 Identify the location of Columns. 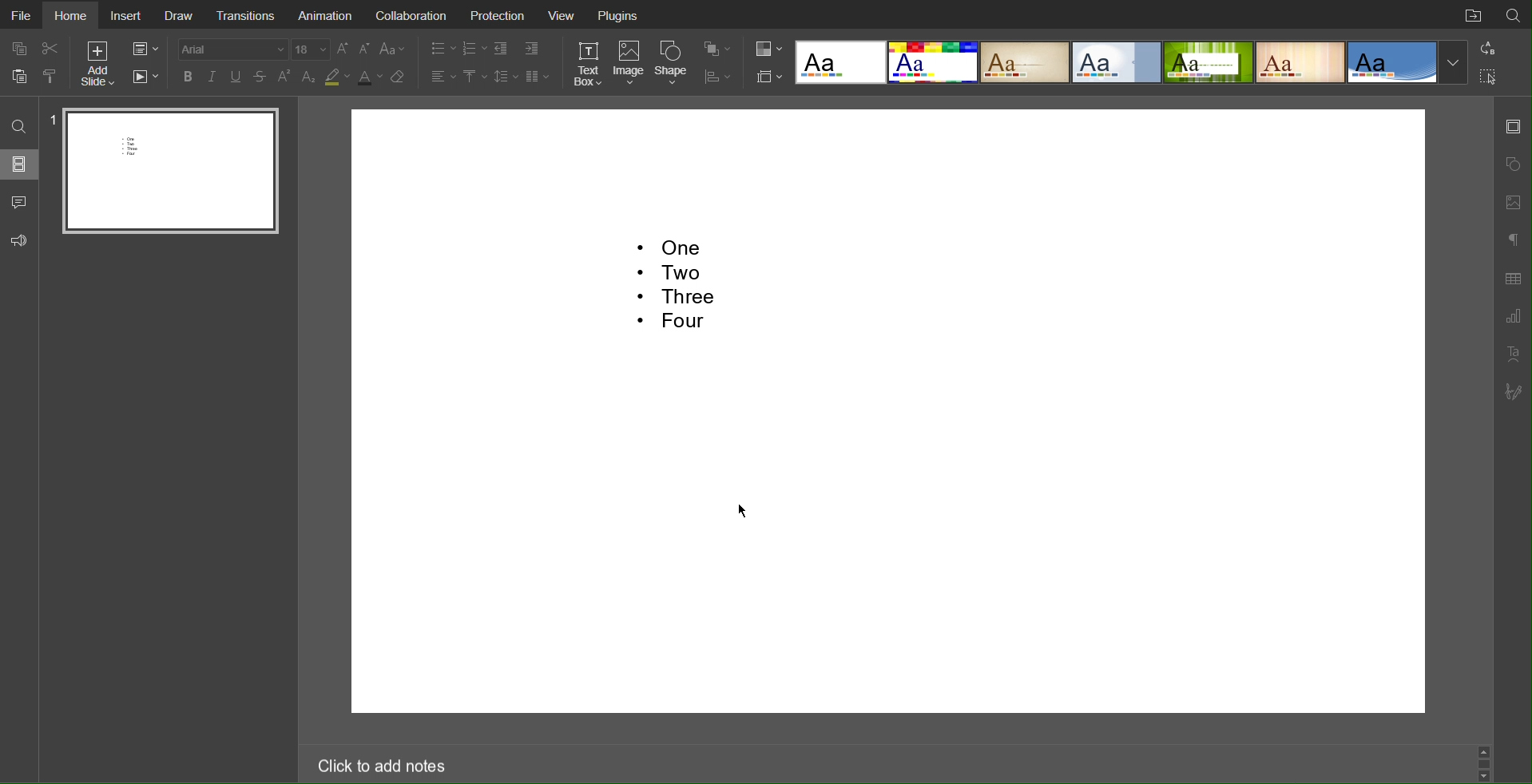
(538, 76).